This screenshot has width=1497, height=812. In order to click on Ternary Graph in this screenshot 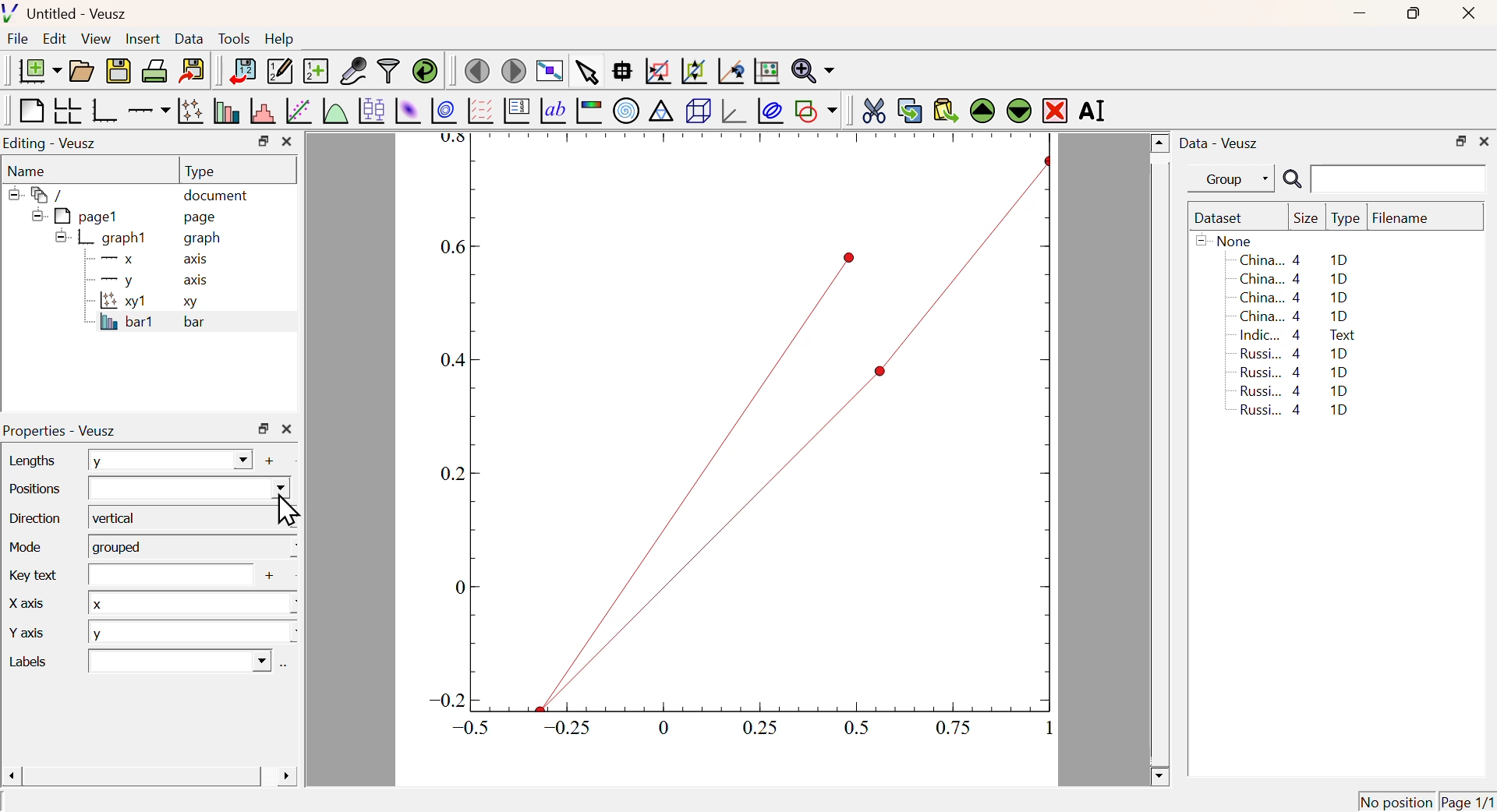, I will do `click(660, 110)`.